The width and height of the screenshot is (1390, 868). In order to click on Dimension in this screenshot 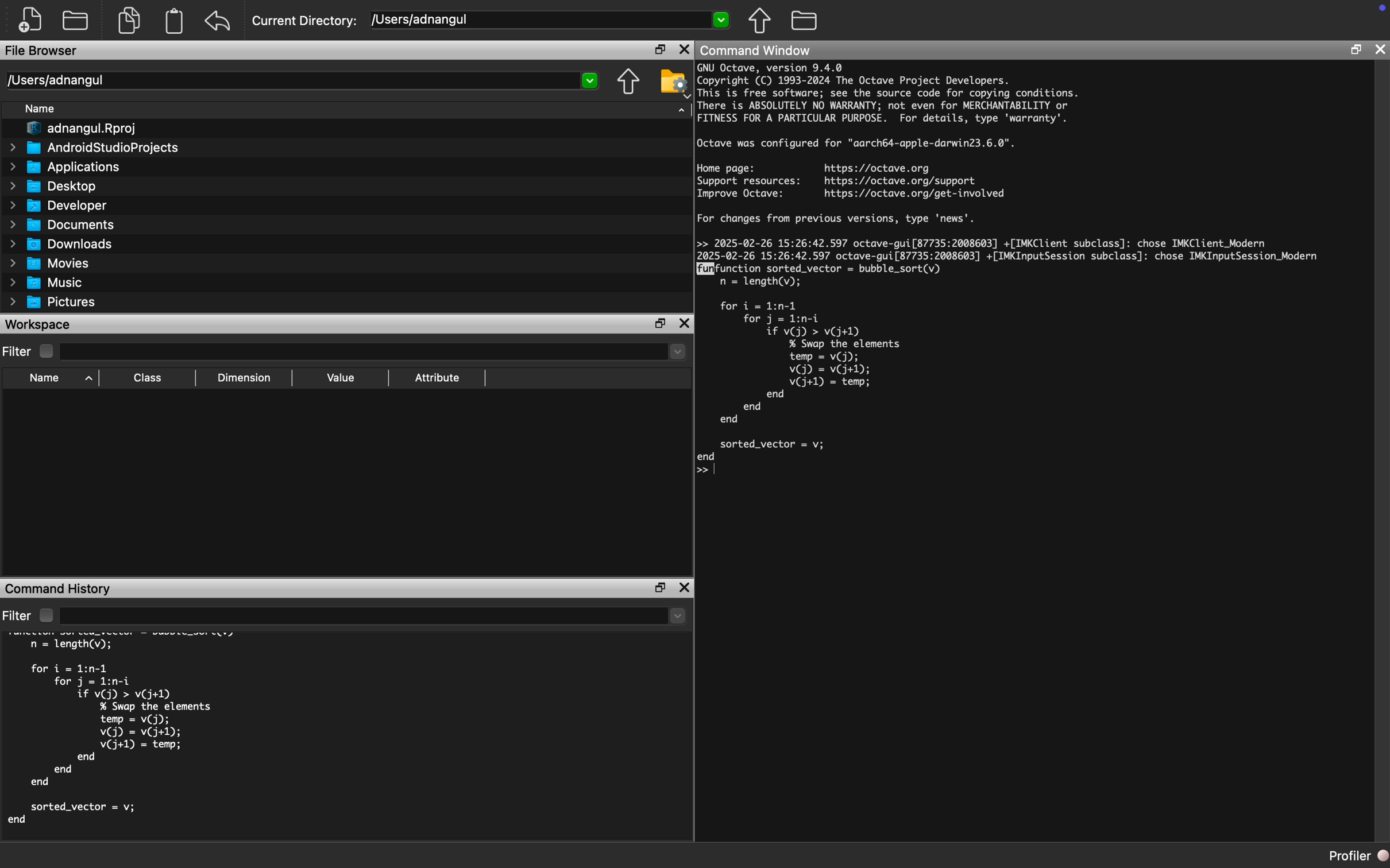, I will do `click(244, 378)`.